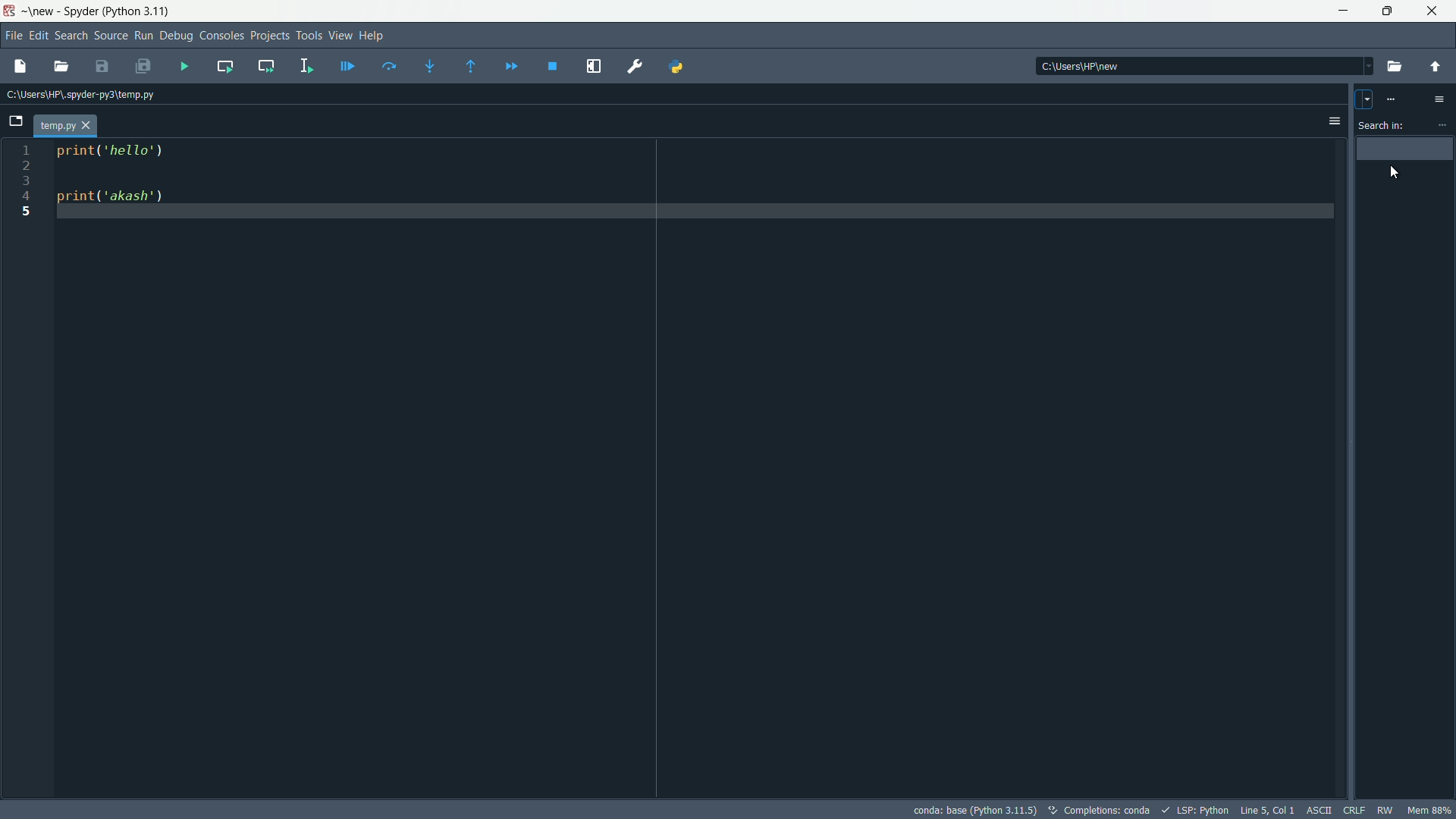 The image size is (1456, 819). Describe the element at coordinates (679, 66) in the screenshot. I see `python path manager` at that location.